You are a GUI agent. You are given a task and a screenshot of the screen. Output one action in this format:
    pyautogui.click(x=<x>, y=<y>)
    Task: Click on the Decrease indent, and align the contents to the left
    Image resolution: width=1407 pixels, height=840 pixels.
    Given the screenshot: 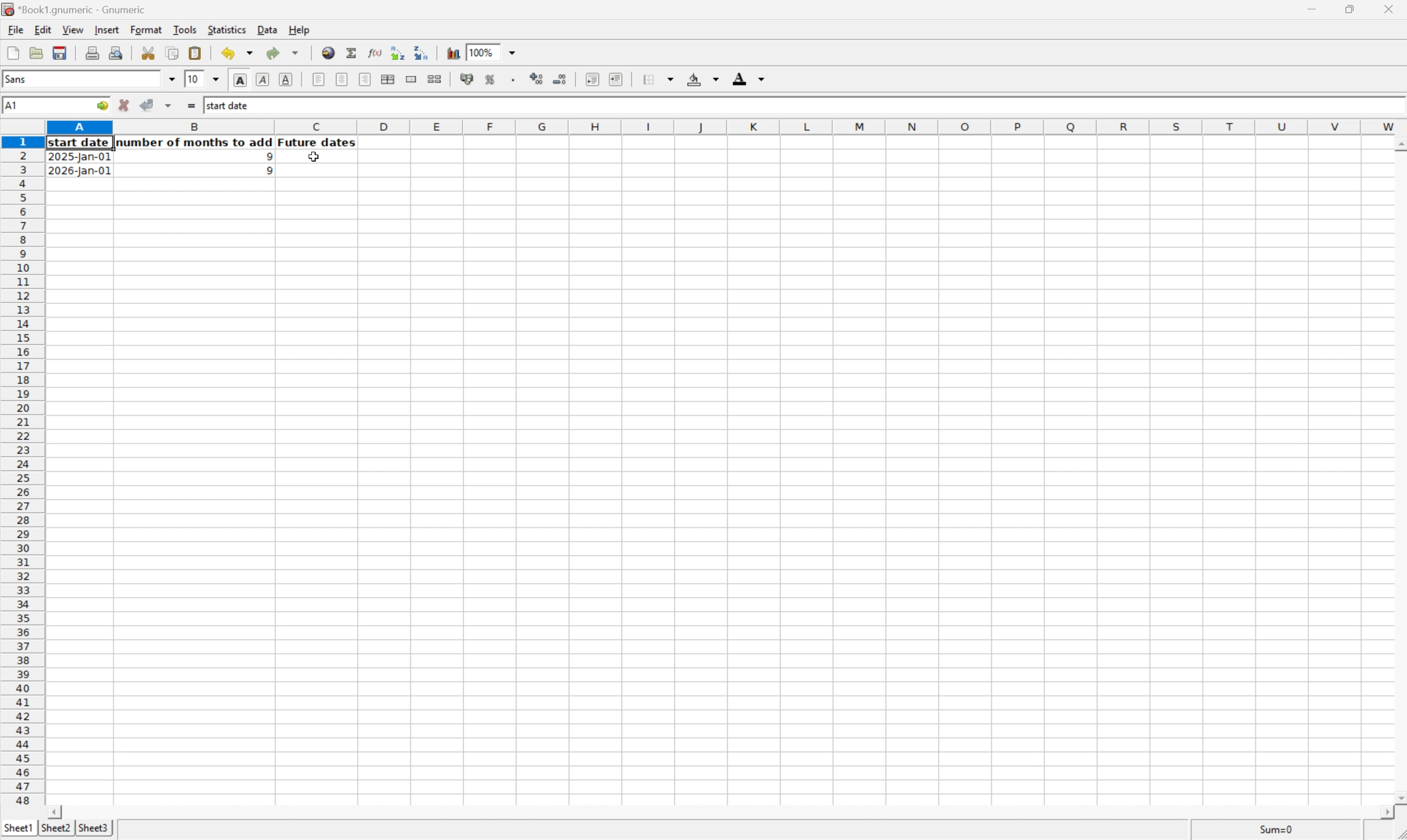 What is the action you would take?
    pyautogui.click(x=590, y=79)
    